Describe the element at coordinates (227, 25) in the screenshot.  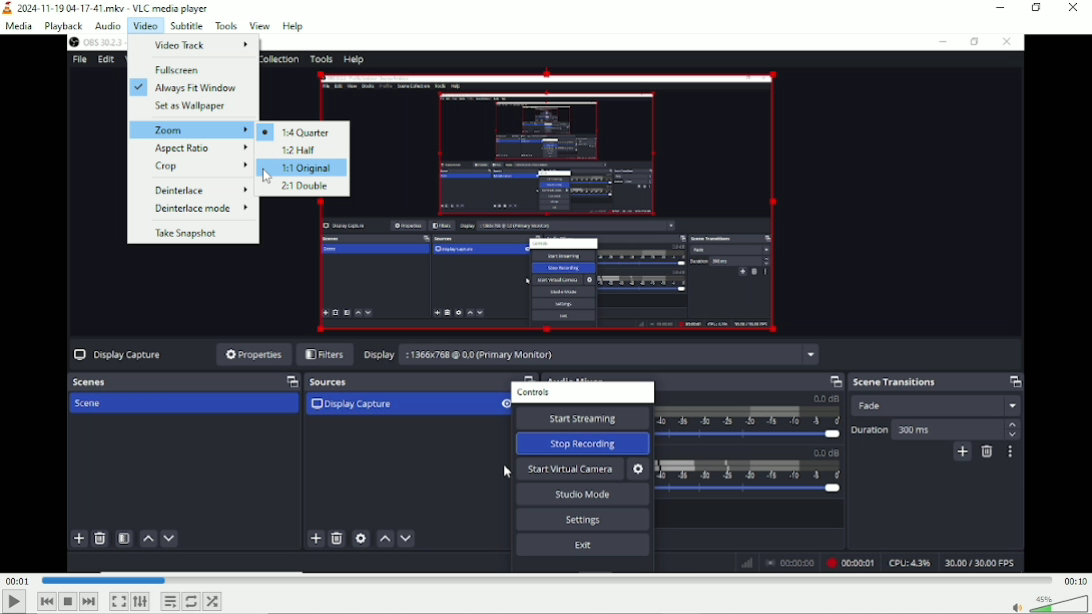
I see `tools` at that location.